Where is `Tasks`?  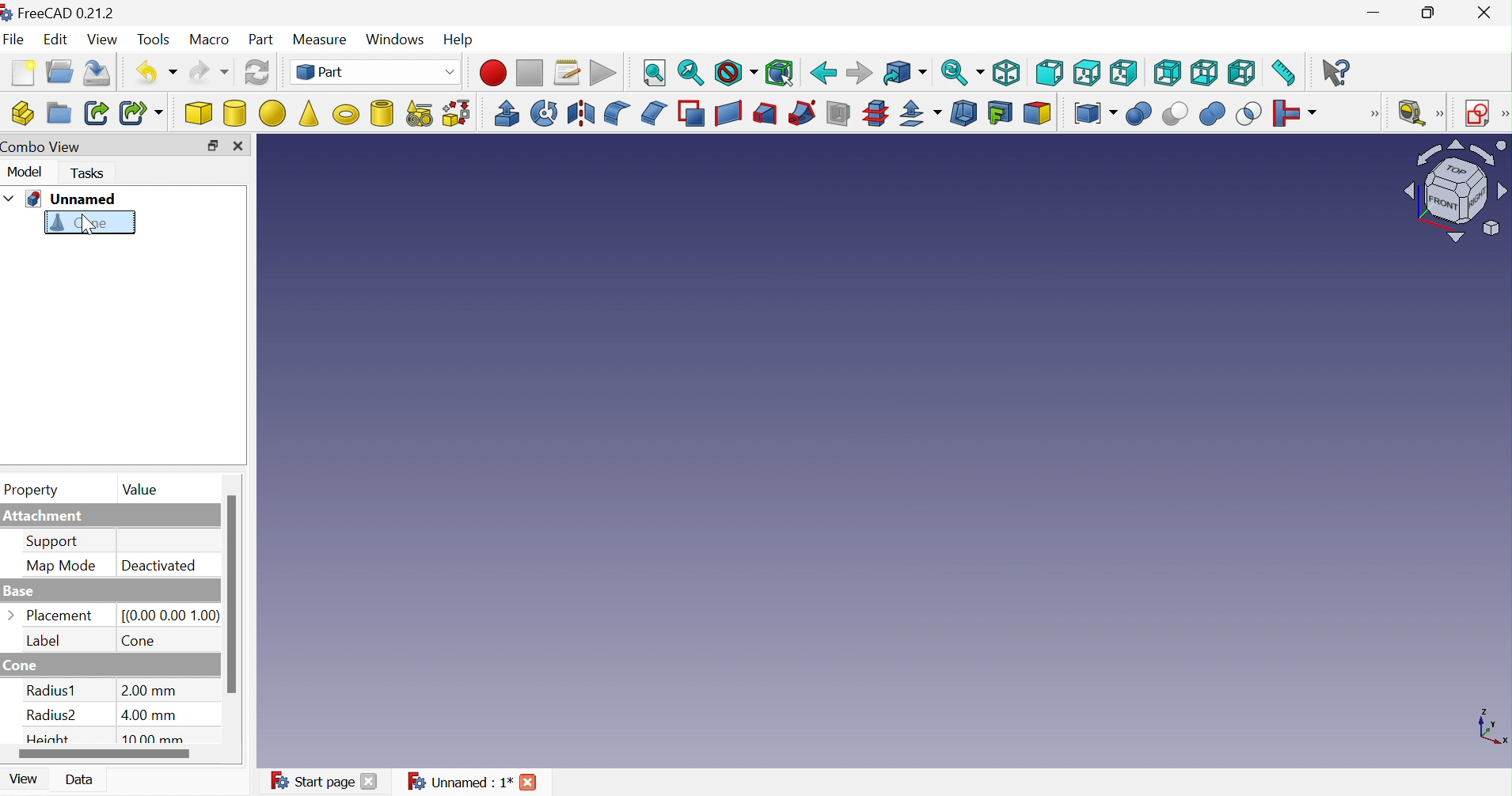
Tasks is located at coordinates (86, 174).